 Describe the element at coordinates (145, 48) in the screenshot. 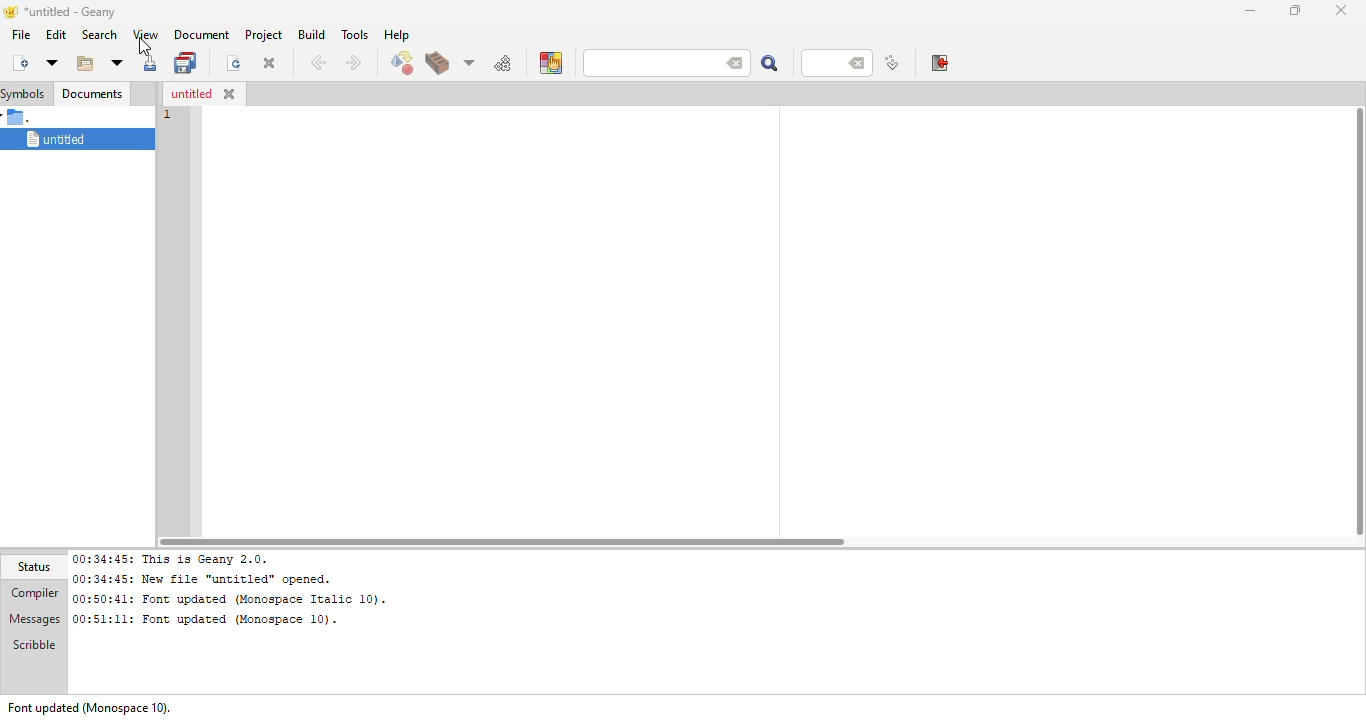

I see `cursor` at that location.